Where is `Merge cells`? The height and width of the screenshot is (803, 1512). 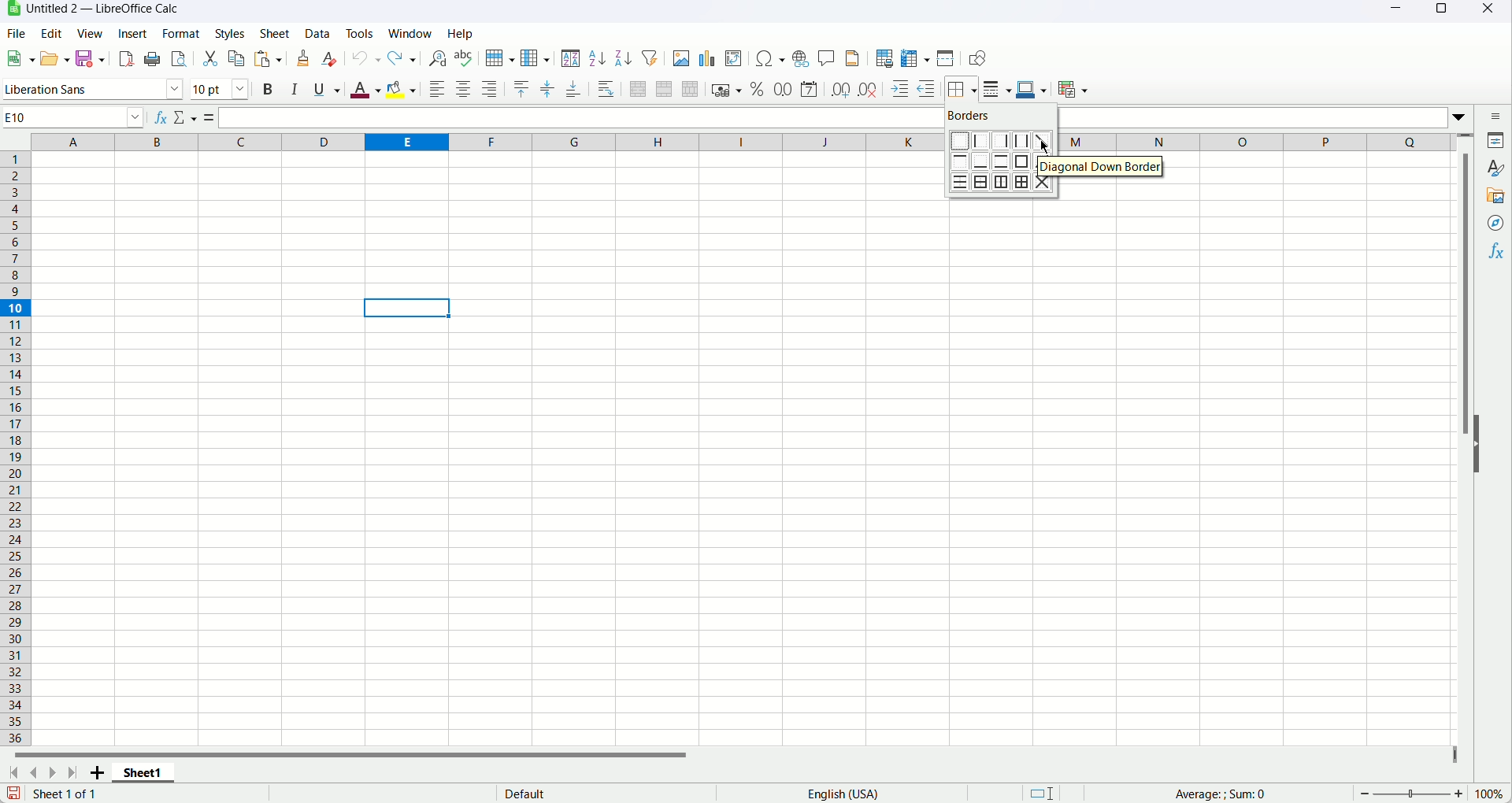 Merge cells is located at coordinates (665, 89).